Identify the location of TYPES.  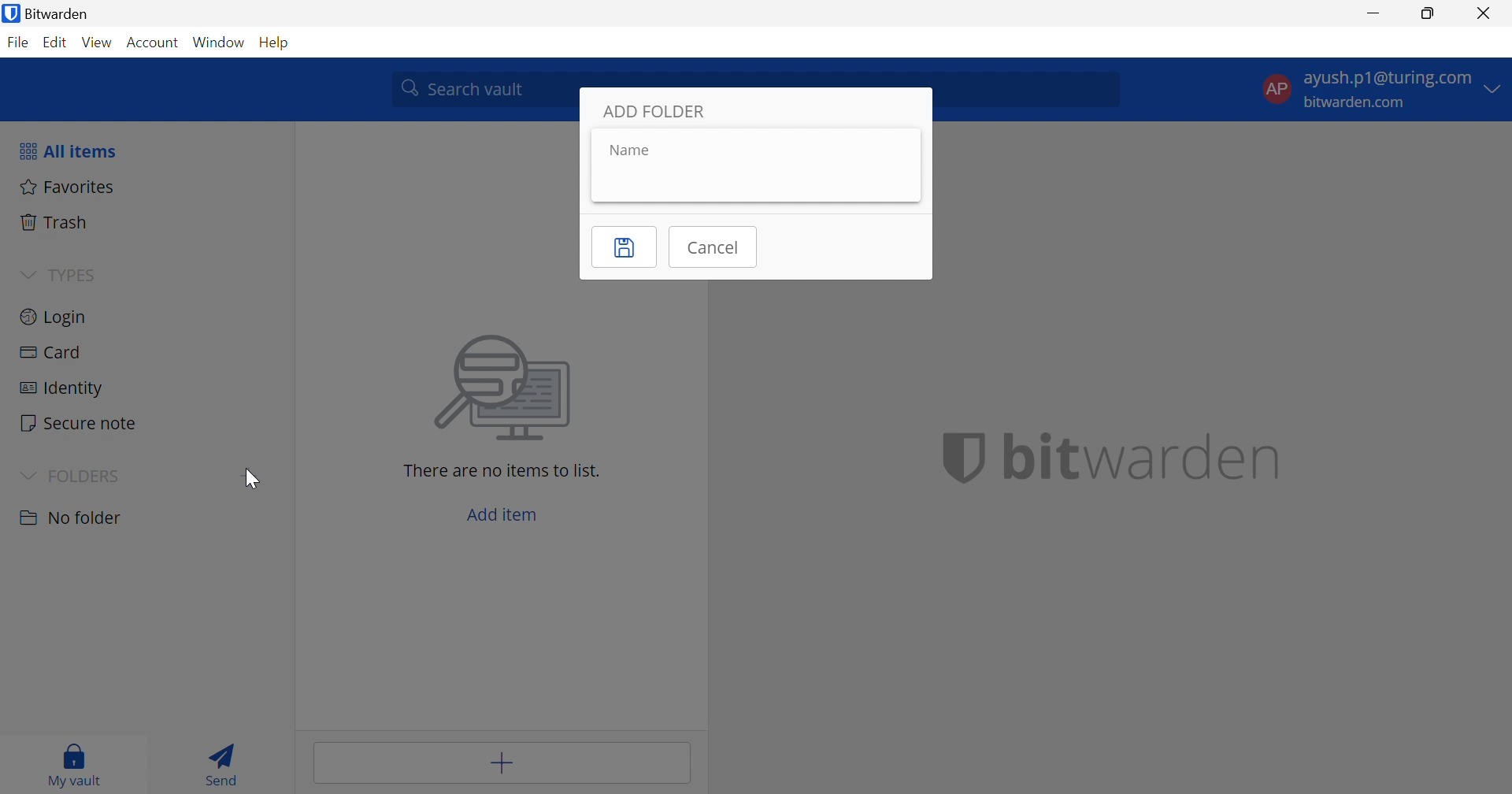
(73, 274).